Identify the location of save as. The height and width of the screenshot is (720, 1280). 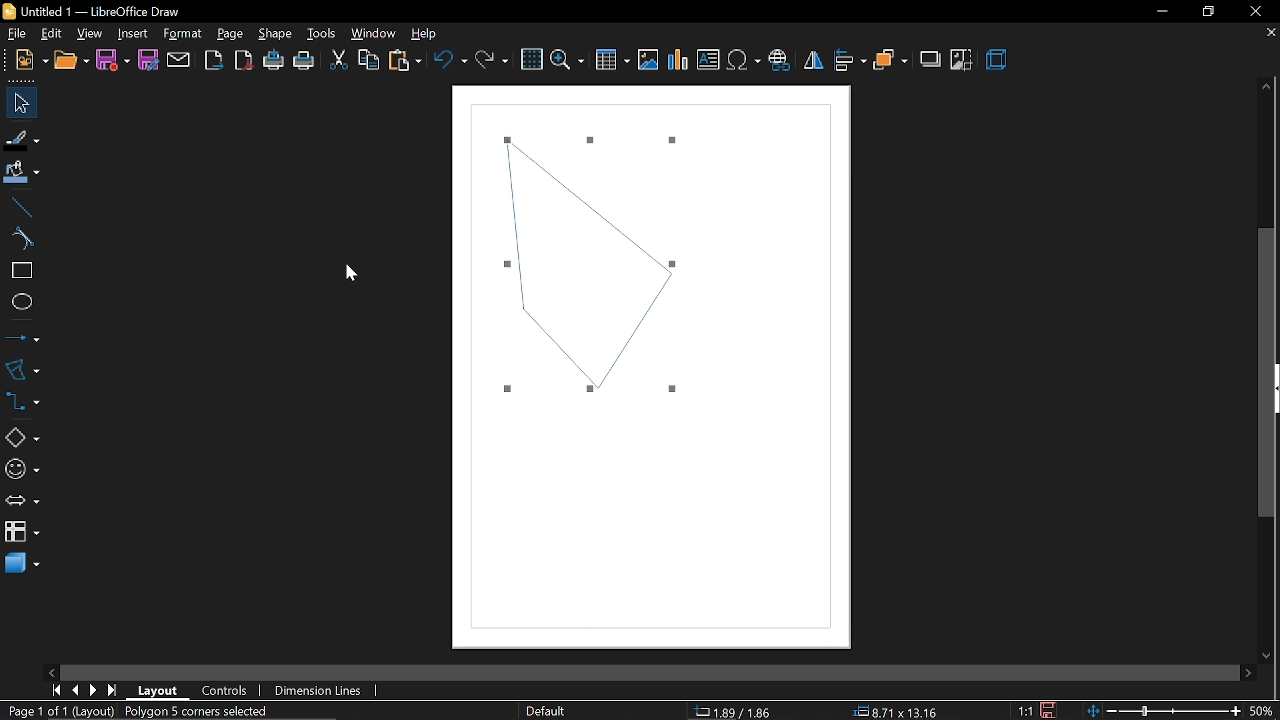
(148, 61).